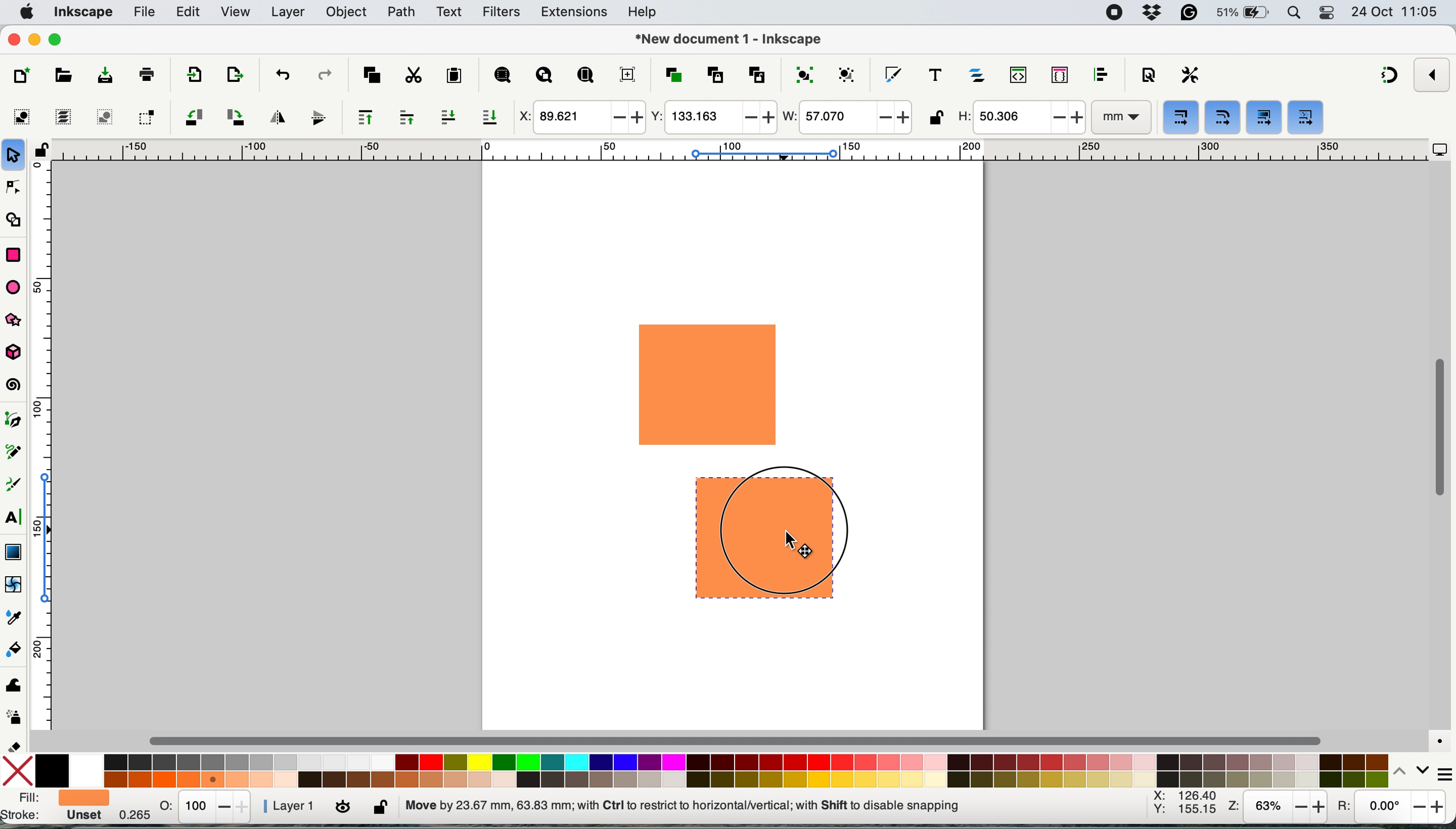 This screenshot has width=1456, height=829. Describe the element at coordinates (1277, 808) in the screenshot. I see `zoom` at that location.